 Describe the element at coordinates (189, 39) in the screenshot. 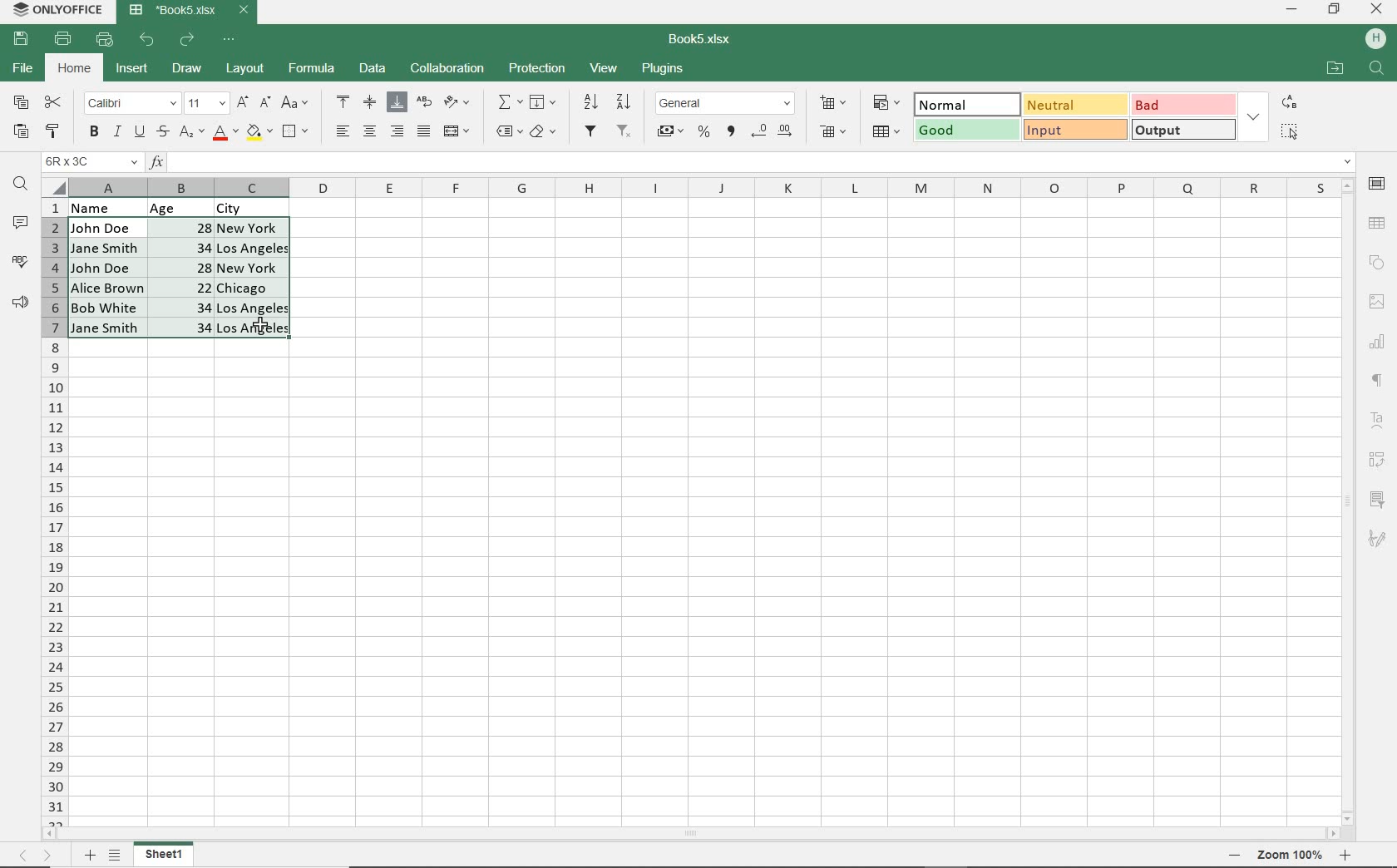

I see `REDO` at that location.